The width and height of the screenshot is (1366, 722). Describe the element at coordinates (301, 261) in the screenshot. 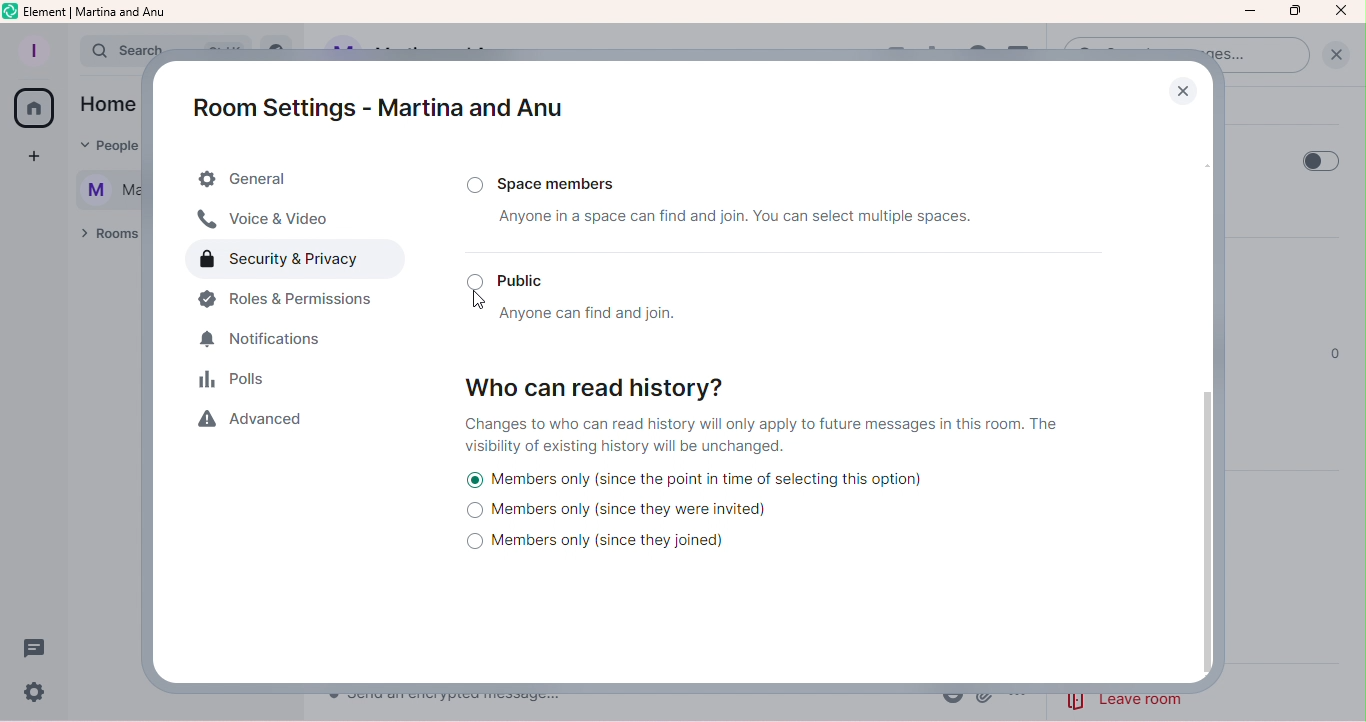

I see `Security and privacy` at that location.